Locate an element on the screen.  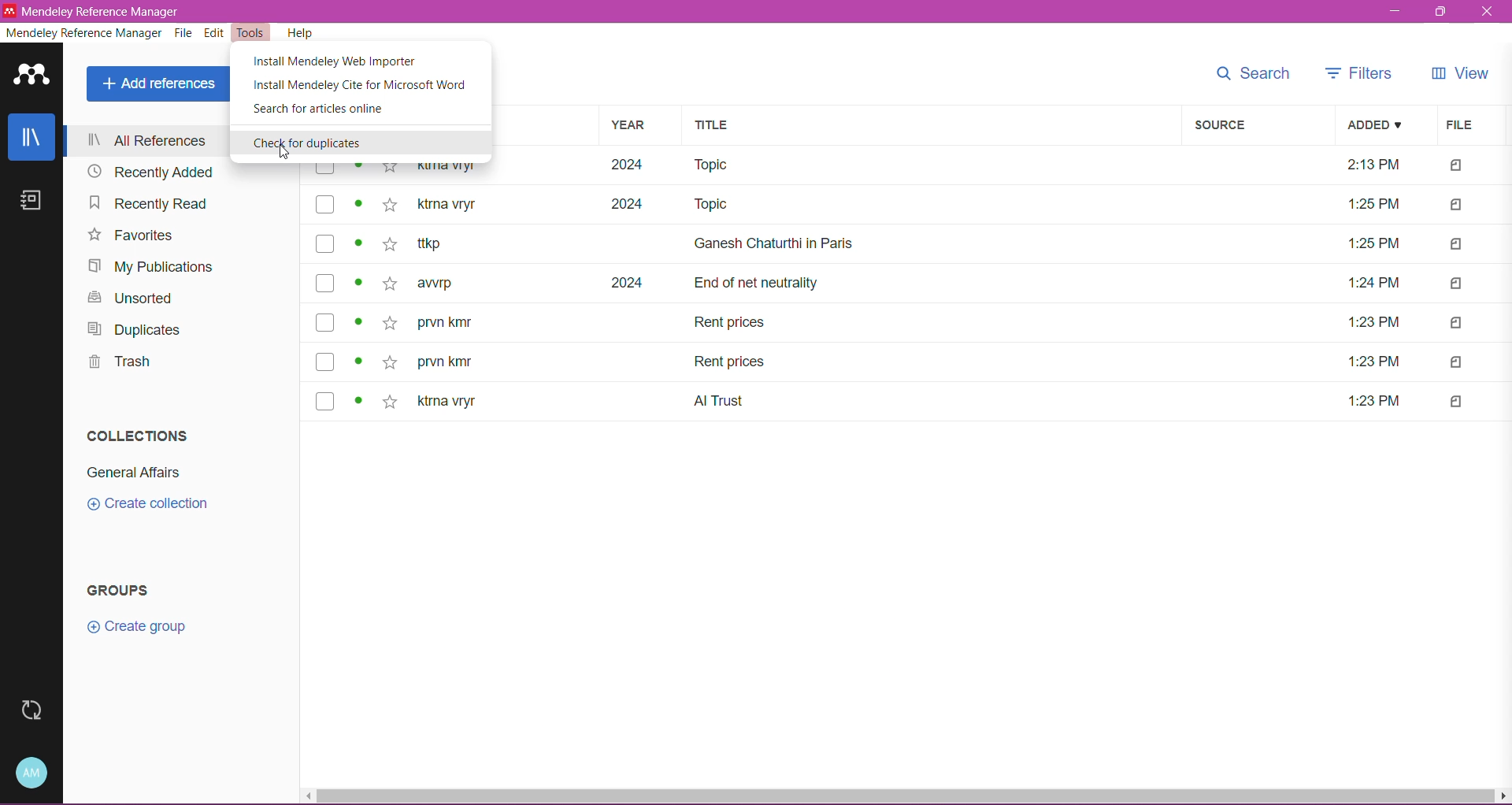
Medeley reference manager is located at coordinates (102, 9).